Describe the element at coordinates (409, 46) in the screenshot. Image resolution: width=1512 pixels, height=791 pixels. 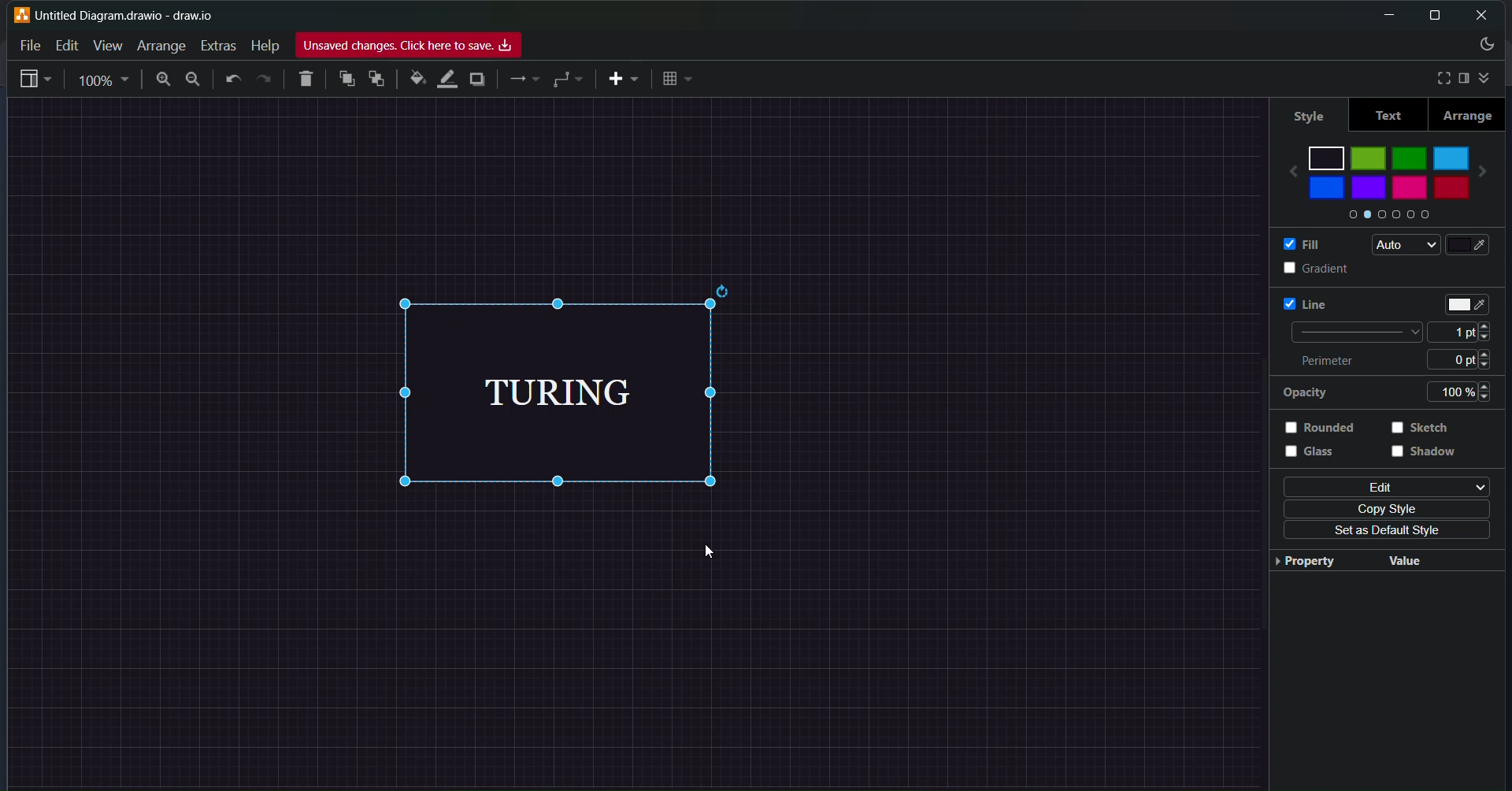
I see `Unsaved changes. Click here to save. os` at that location.